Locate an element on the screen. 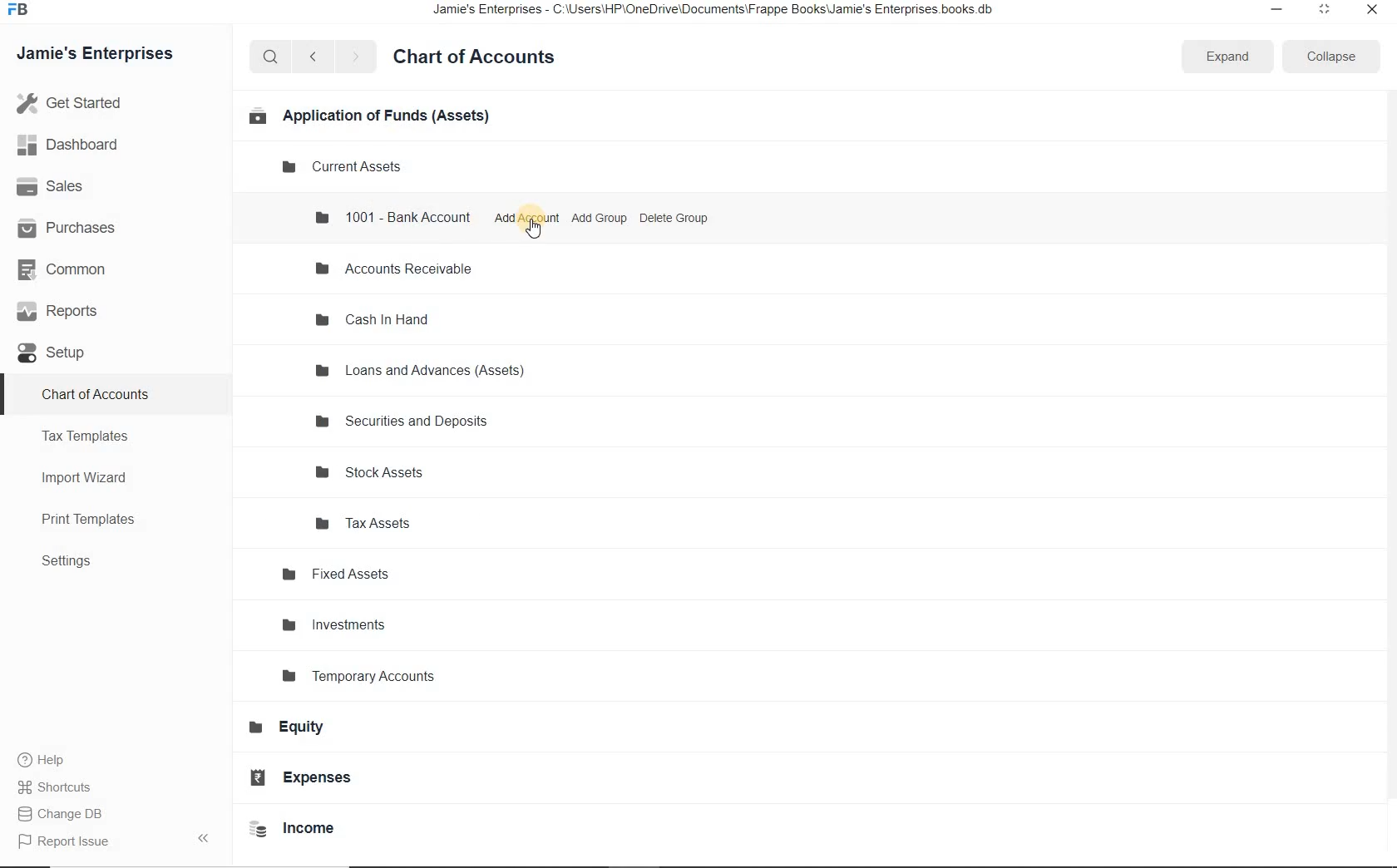 This screenshot has height=868, width=1397. Help is located at coordinates (50, 762).